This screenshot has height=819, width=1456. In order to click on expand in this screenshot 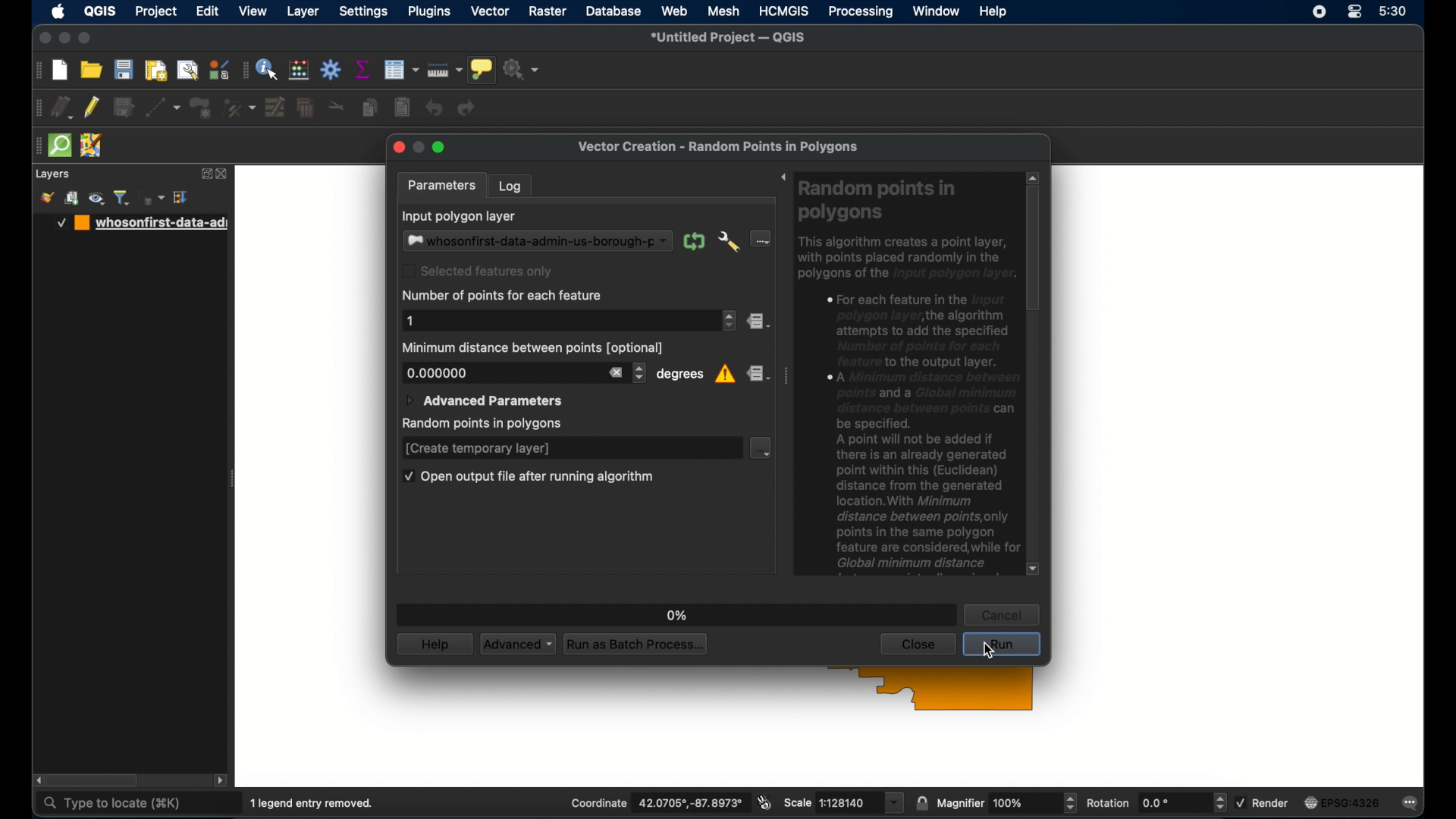, I will do `click(783, 178)`.